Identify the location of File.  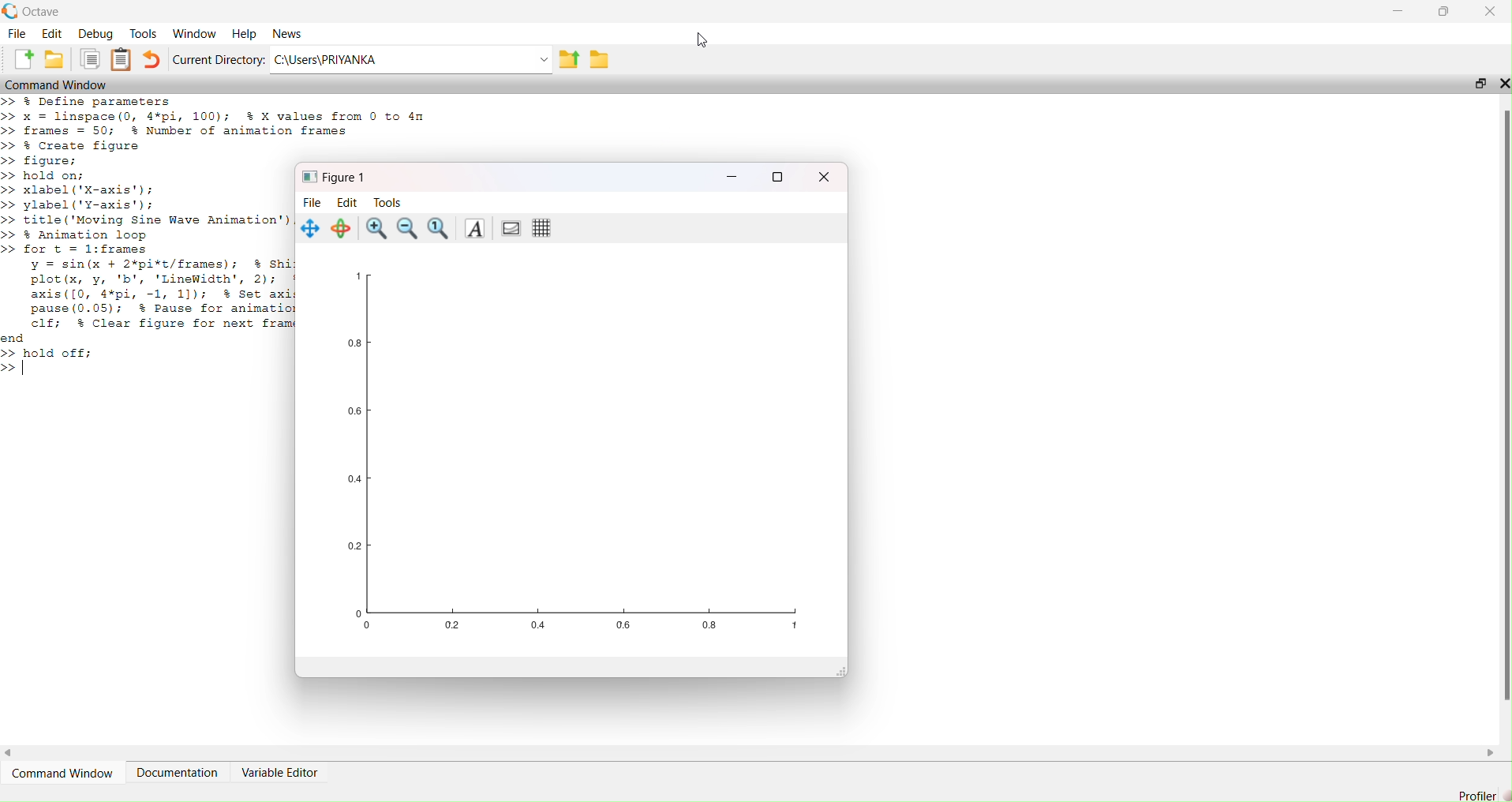
(311, 204).